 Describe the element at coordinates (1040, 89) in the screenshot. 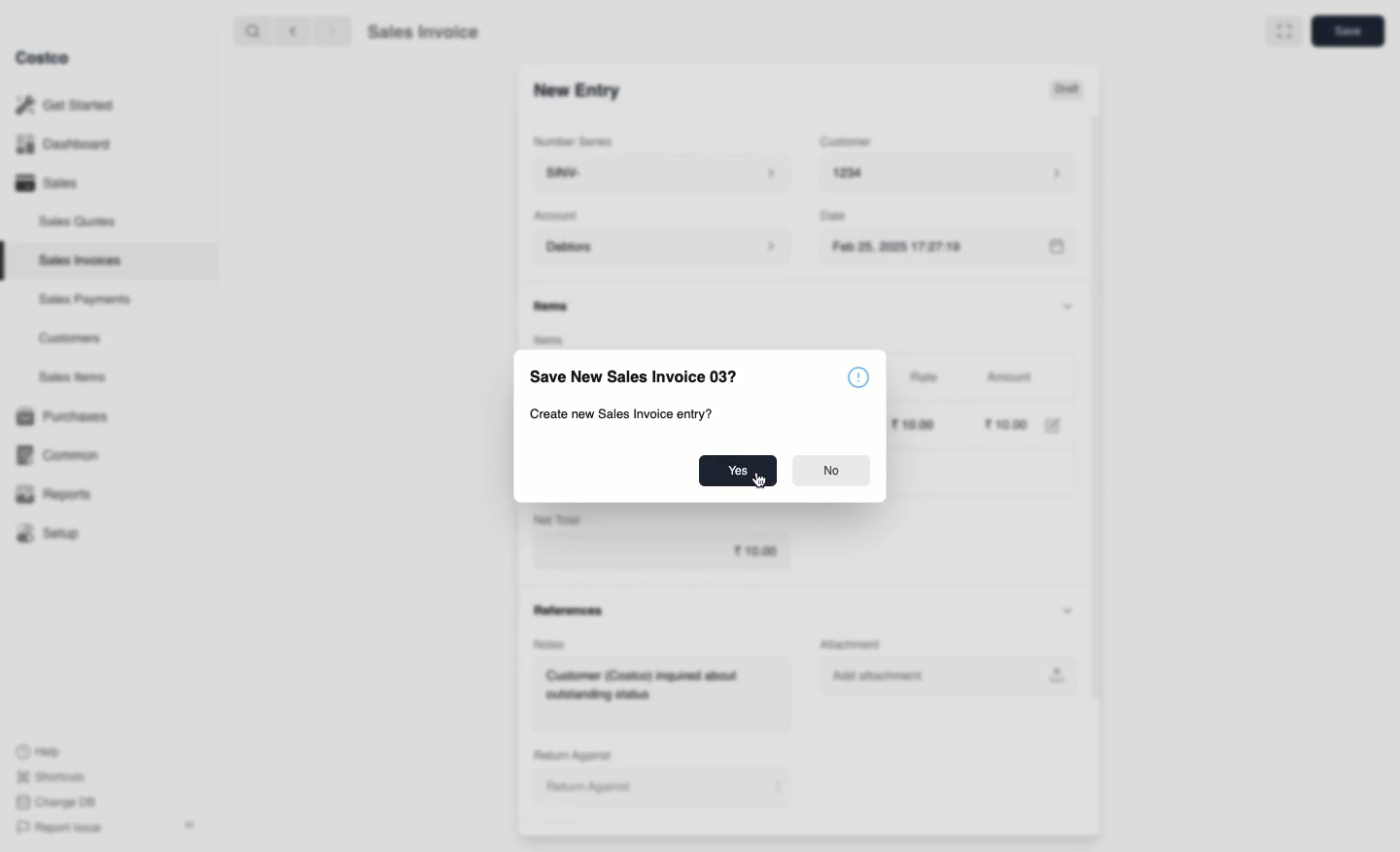

I see `Draft` at that location.